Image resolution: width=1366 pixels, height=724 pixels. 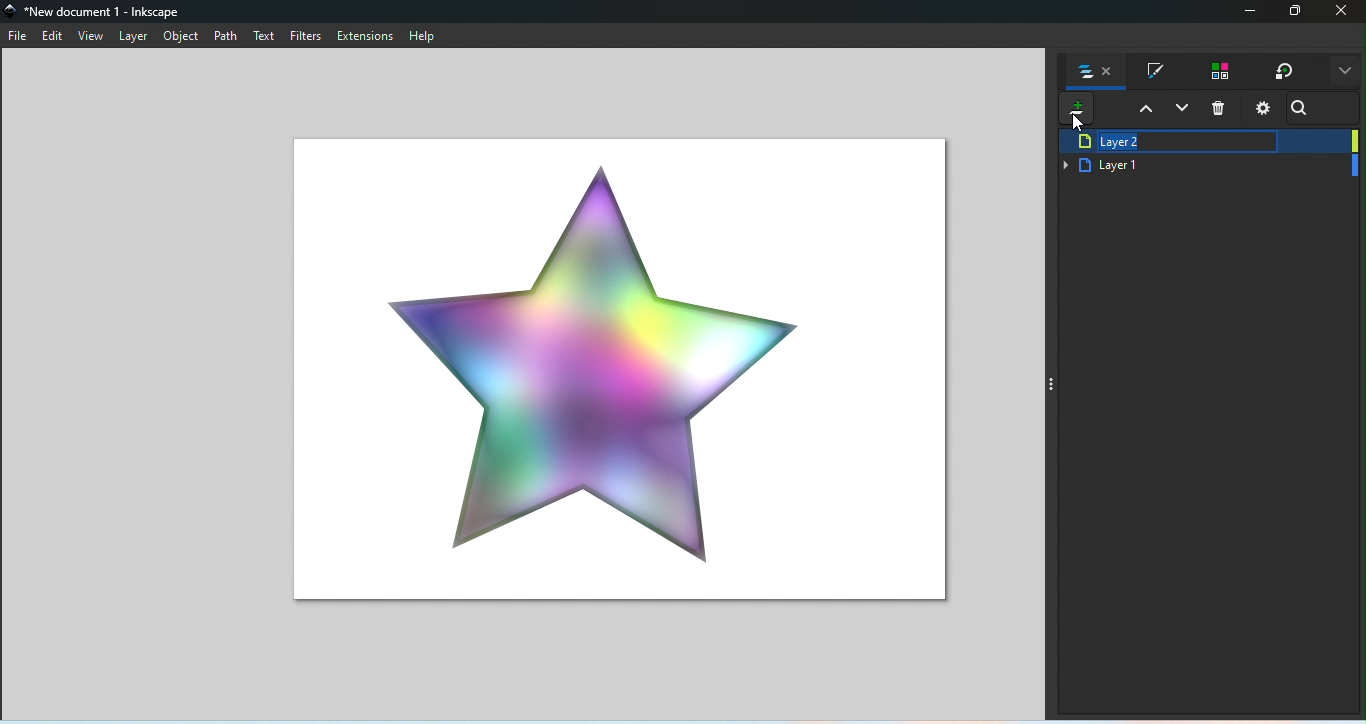 I want to click on View, so click(x=94, y=36).